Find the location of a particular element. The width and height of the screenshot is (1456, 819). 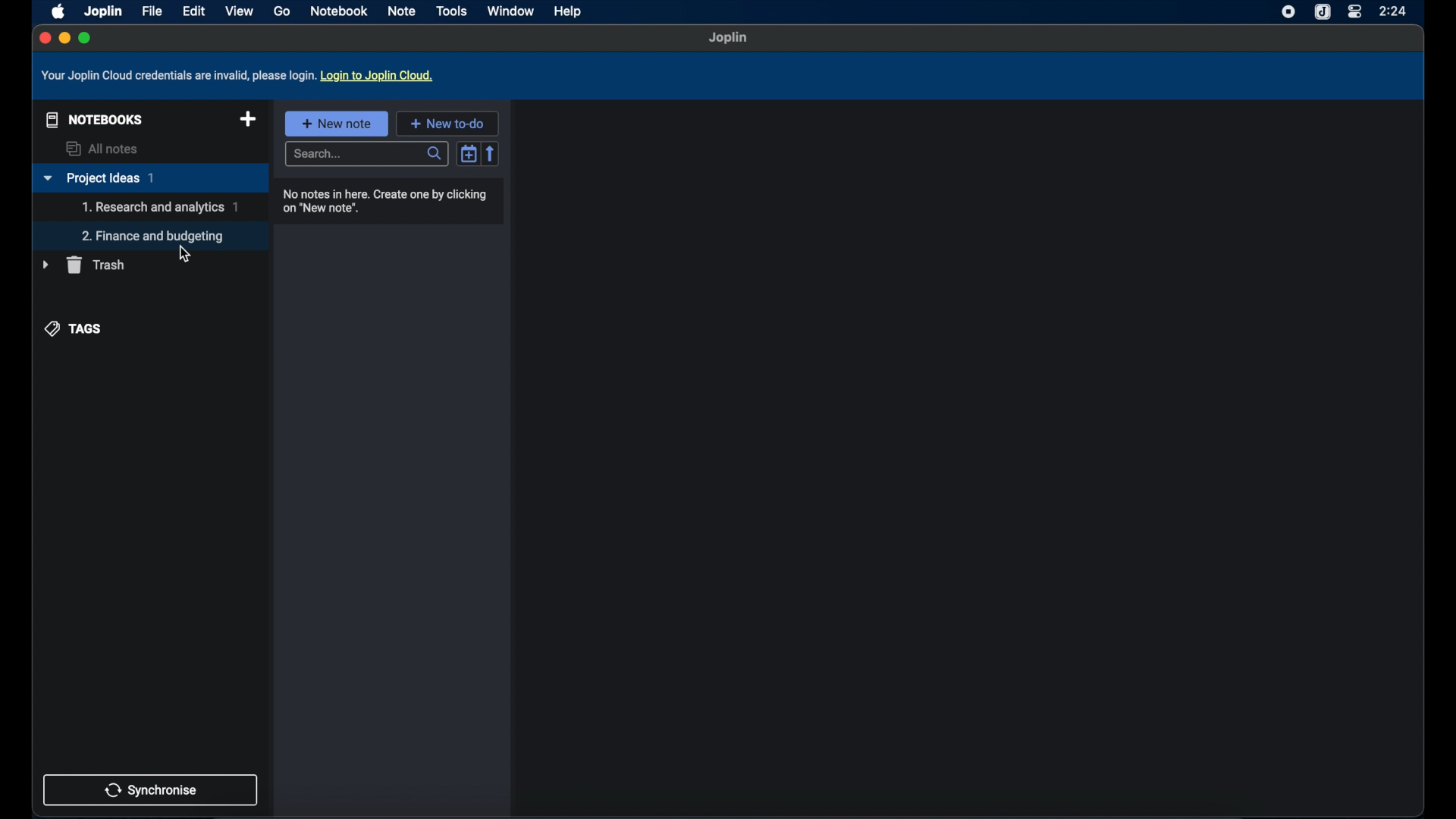

close is located at coordinates (43, 37).